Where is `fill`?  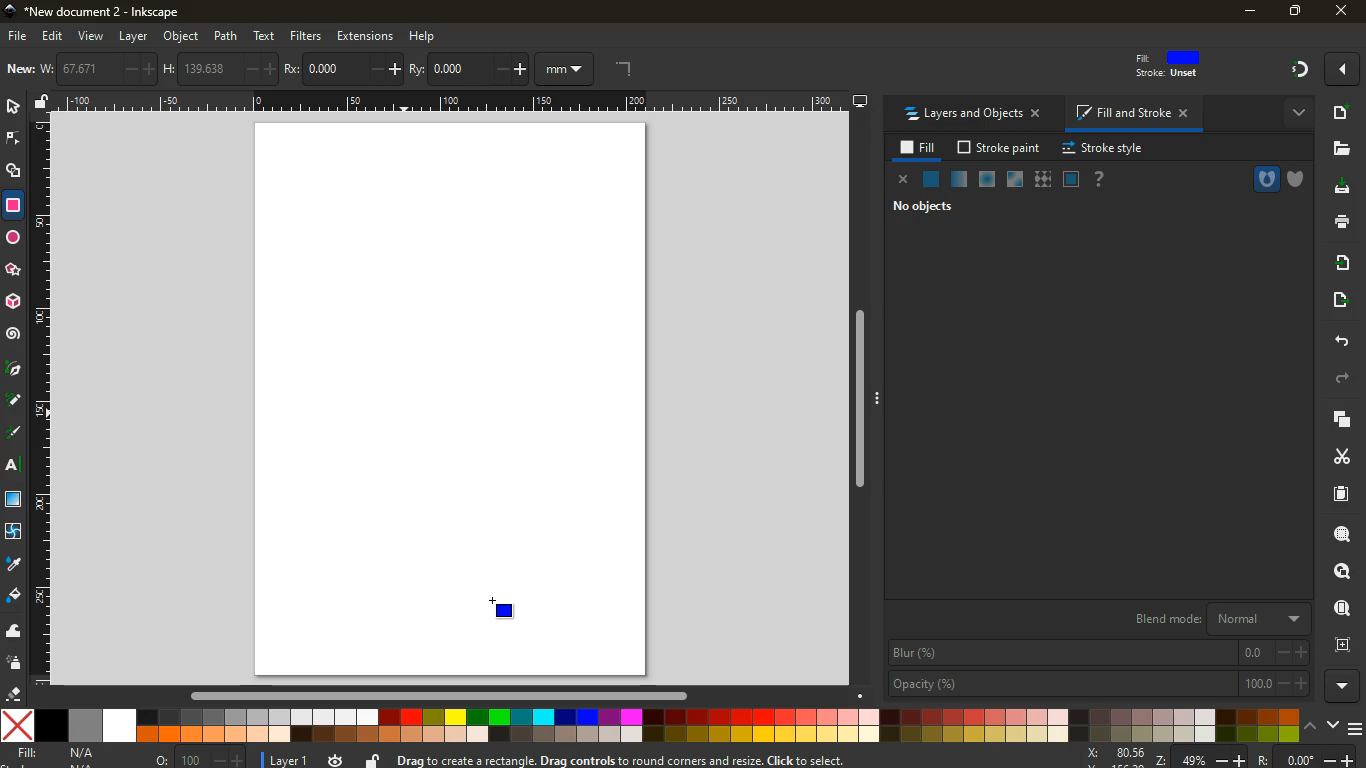 fill is located at coordinates (14, 594).